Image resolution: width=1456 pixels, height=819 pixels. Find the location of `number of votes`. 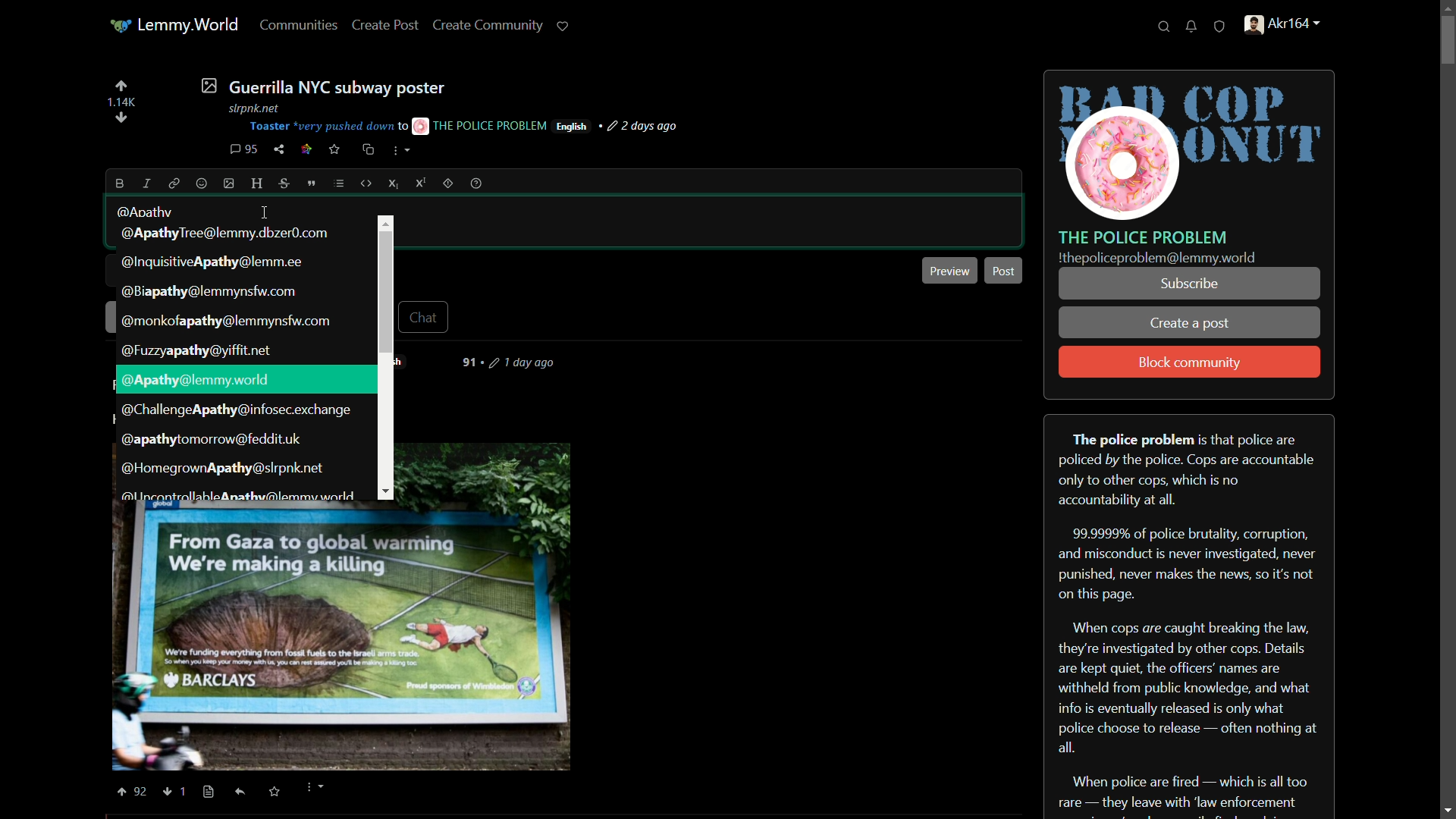

number of votes is located at coordinates (121, 102).